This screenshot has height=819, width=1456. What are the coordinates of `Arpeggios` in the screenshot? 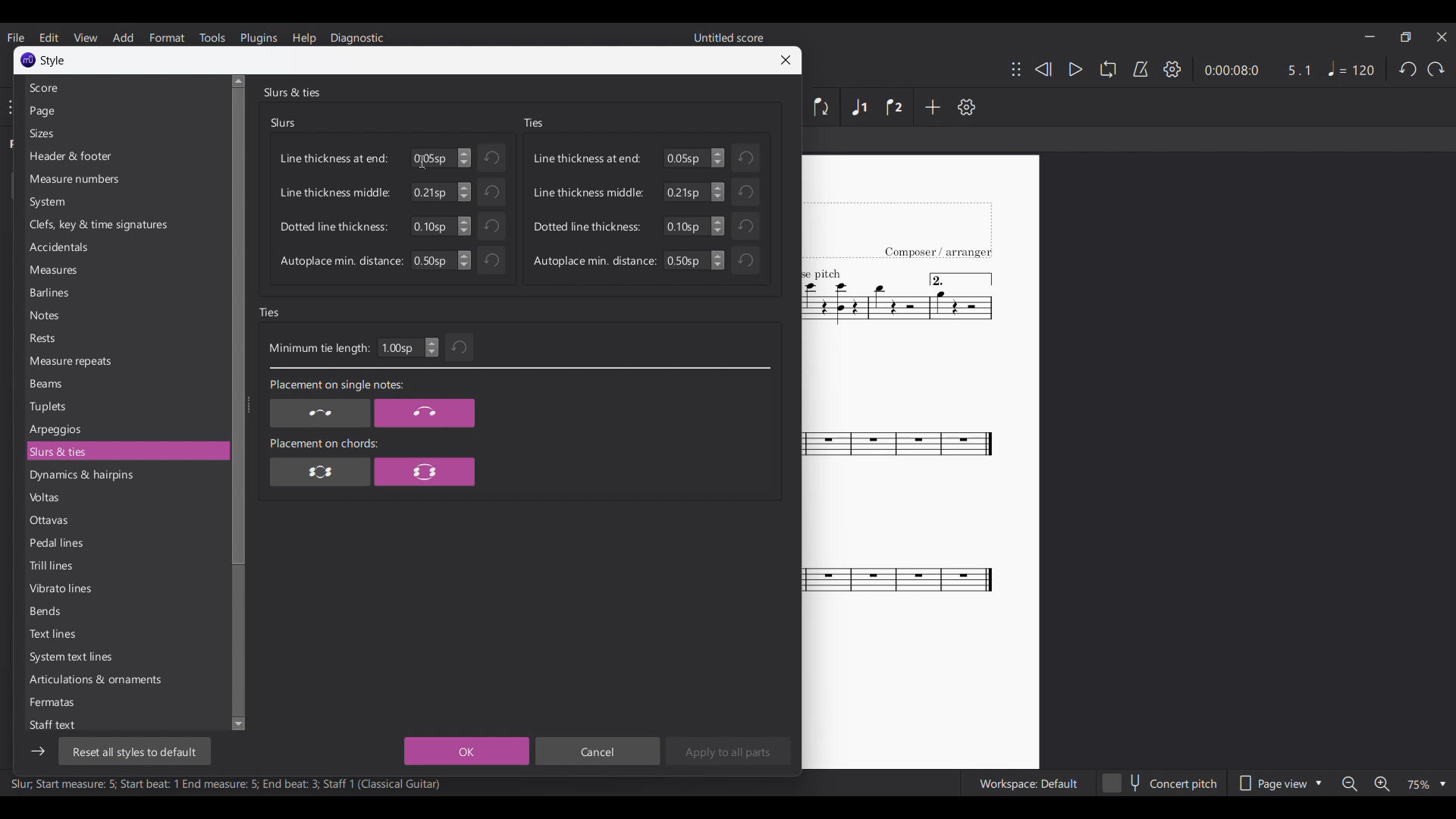 It's located at (125, 429).